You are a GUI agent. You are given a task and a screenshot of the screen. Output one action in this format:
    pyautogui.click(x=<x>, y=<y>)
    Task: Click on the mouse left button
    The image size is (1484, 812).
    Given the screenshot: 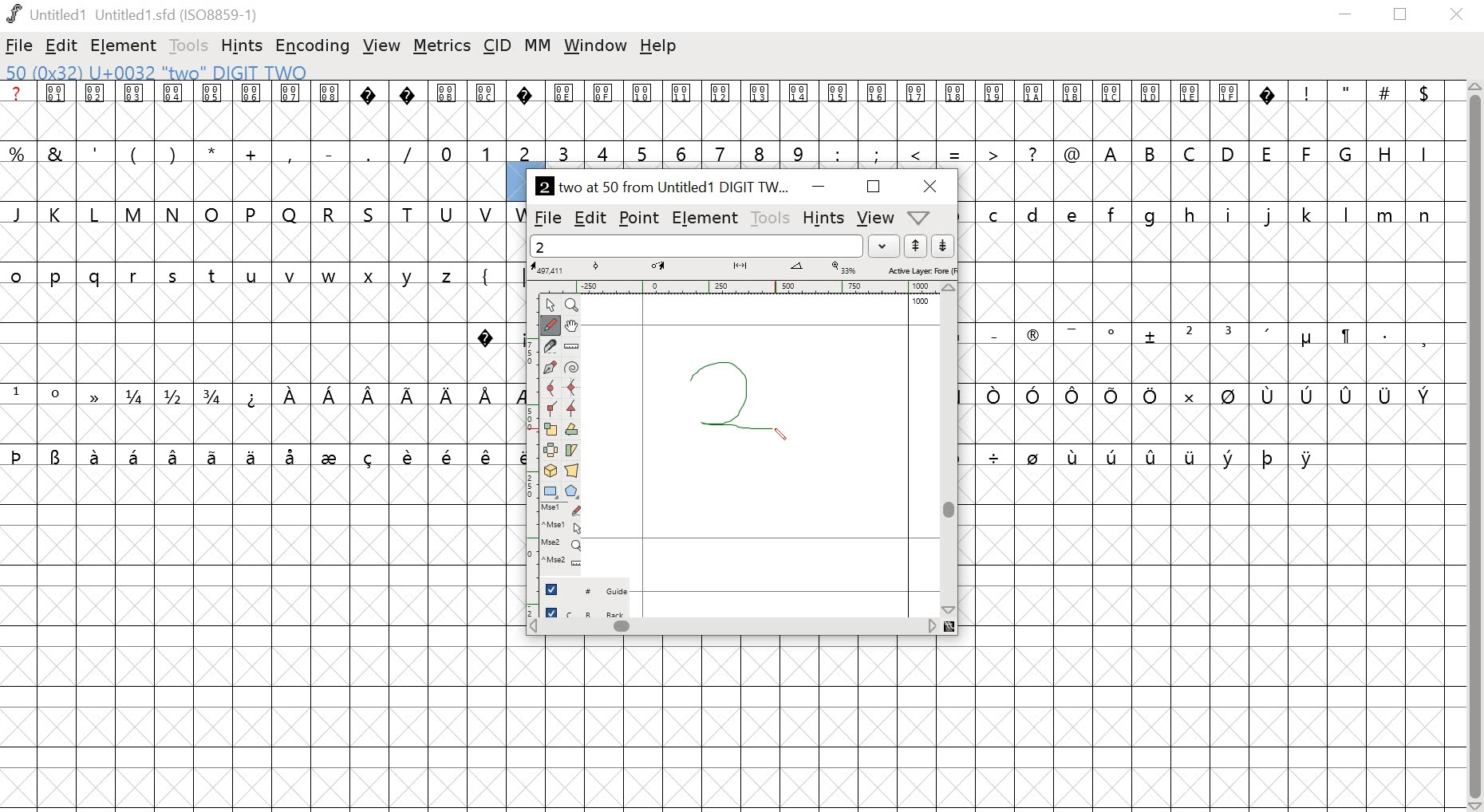 What is the action you would take?
    pyautogui.click(x=565, y=510)
    